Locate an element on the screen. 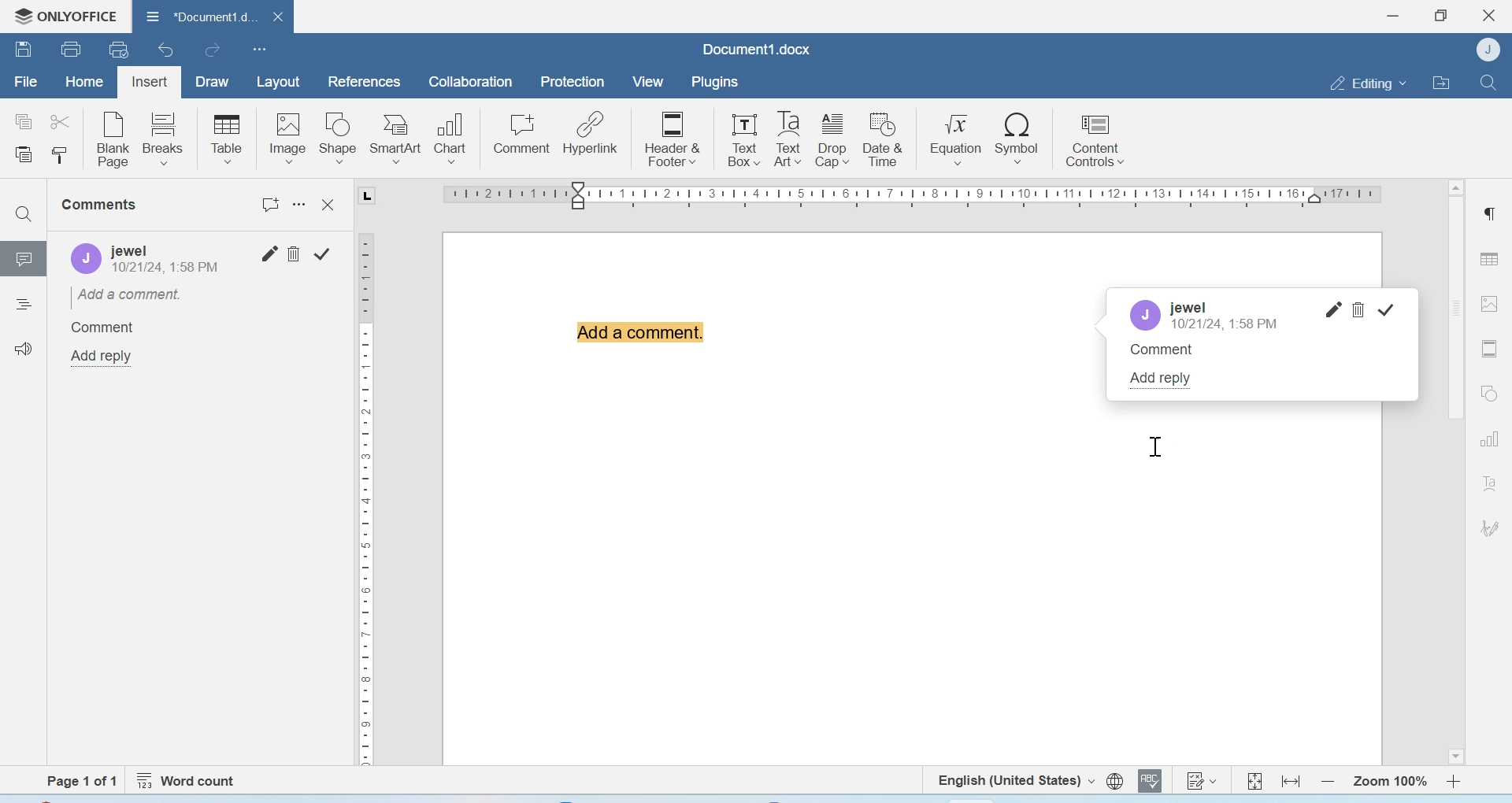  tab stop is located at coordinates (372, 196).